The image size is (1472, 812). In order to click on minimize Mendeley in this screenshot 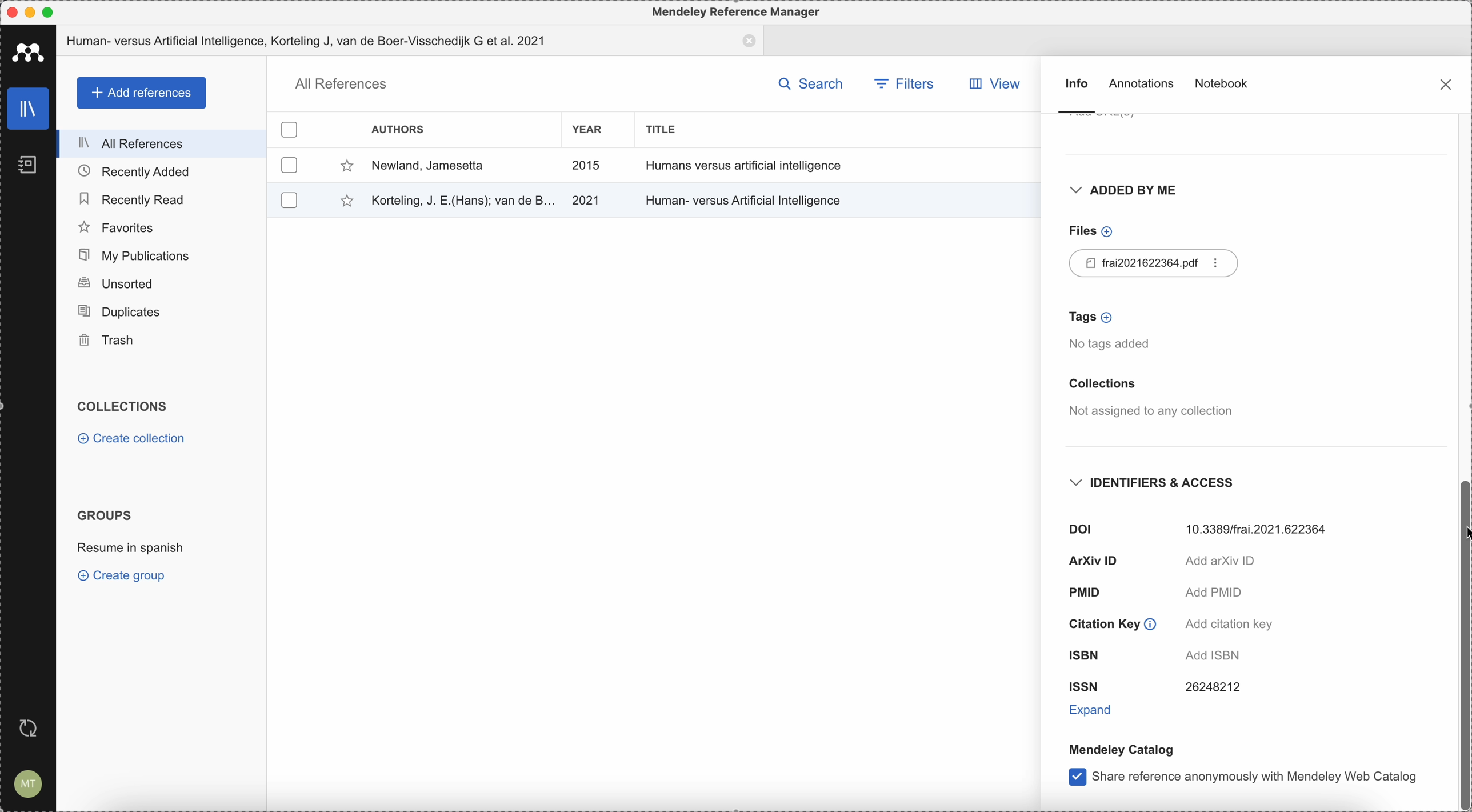, I will do `click(33, 11)`.